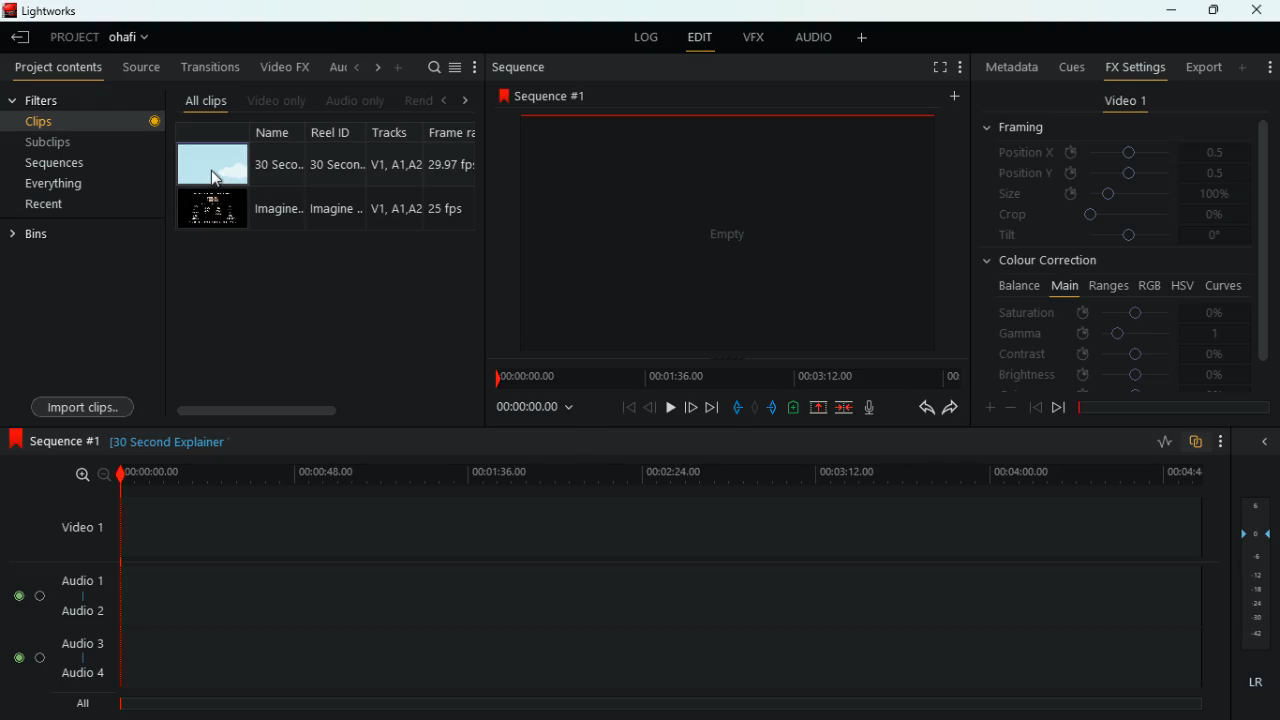  Describe the element at coordinates (215, 209) in the screenshot. I see `video` at that location.